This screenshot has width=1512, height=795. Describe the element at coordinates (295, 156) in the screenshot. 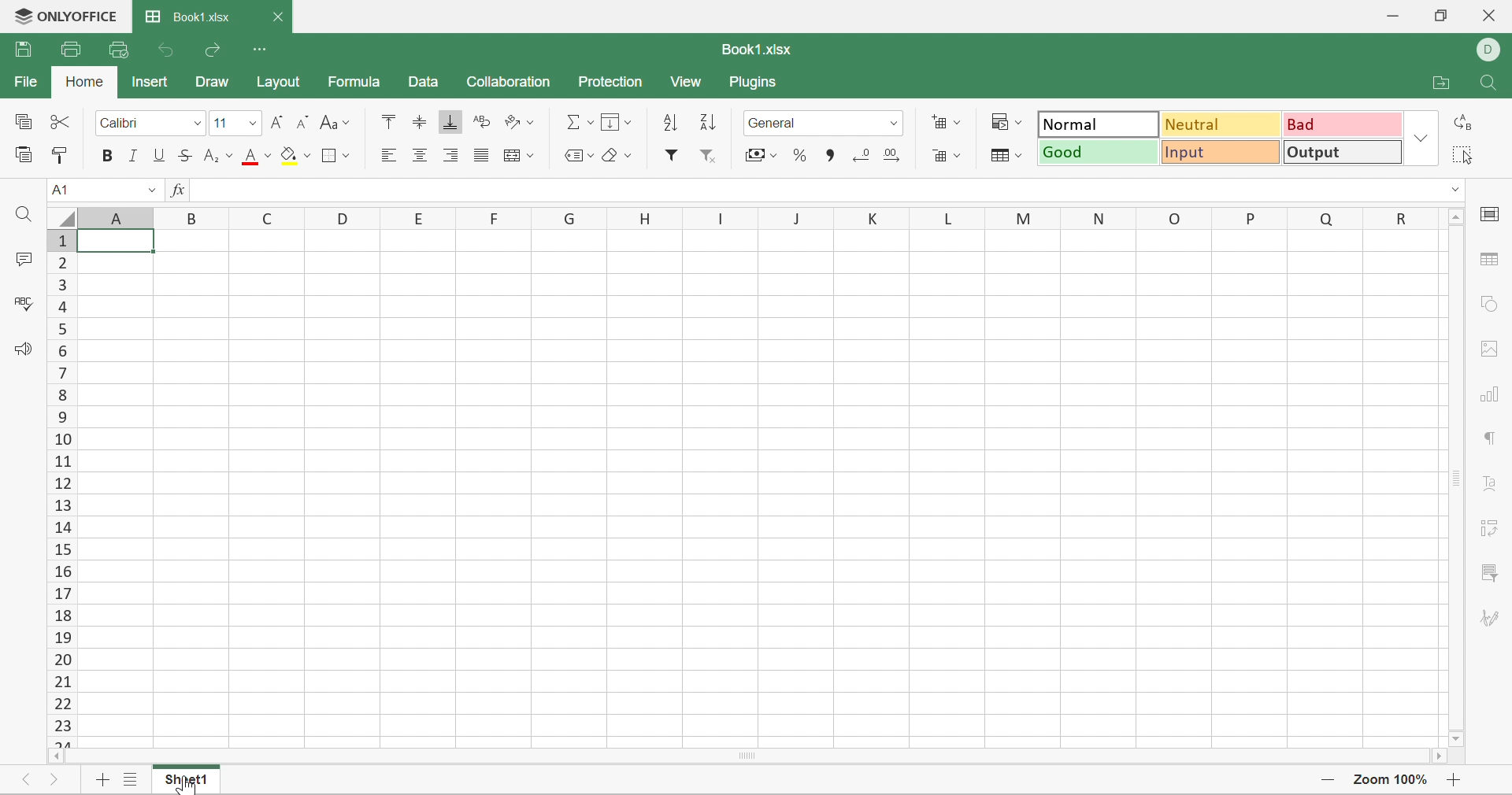

I see `Fill color` at that location.